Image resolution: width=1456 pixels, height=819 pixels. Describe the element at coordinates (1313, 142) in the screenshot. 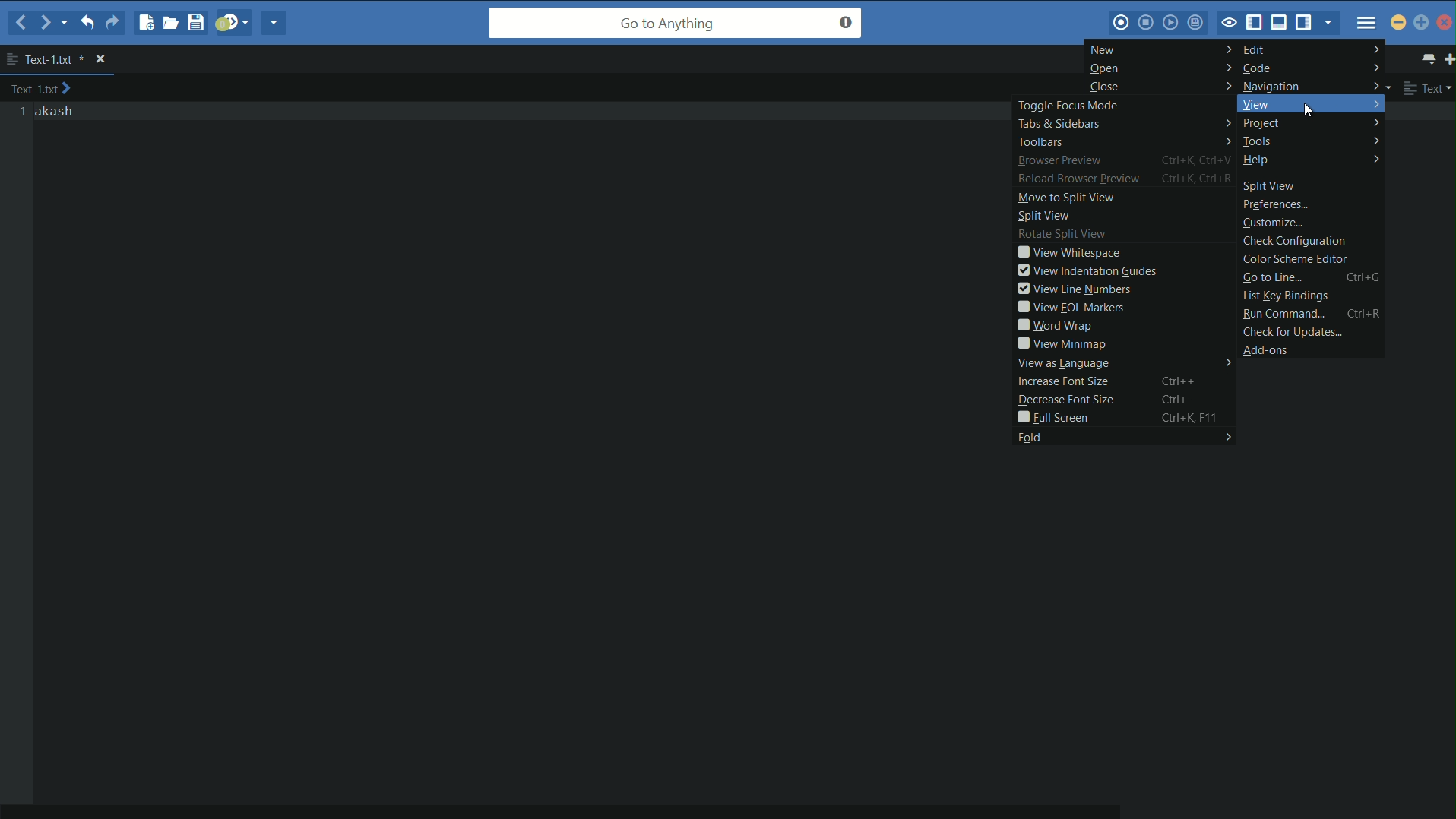

I see `tools` at that location.